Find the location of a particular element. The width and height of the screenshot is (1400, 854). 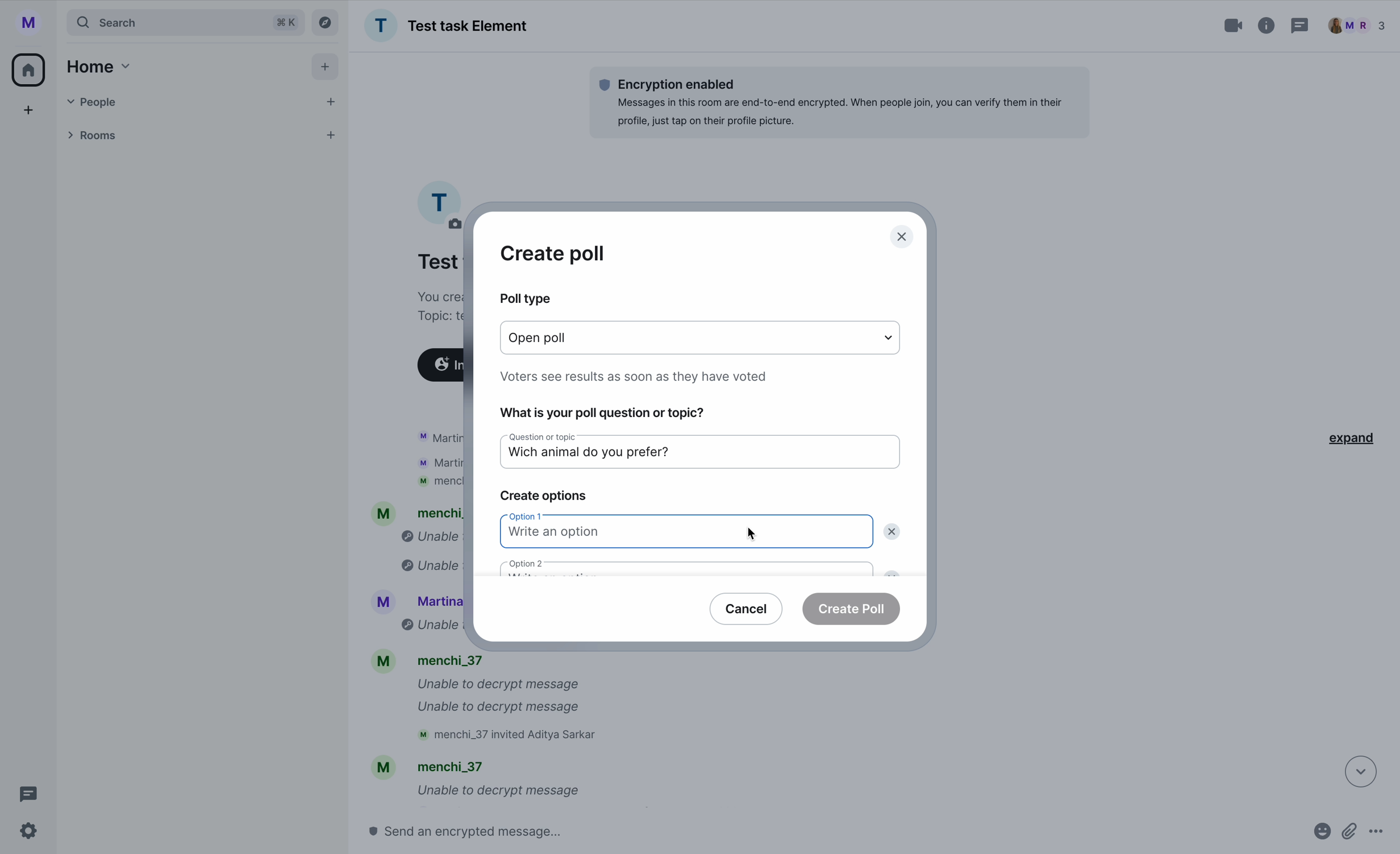

threads is located at coordinates (1298, 27).